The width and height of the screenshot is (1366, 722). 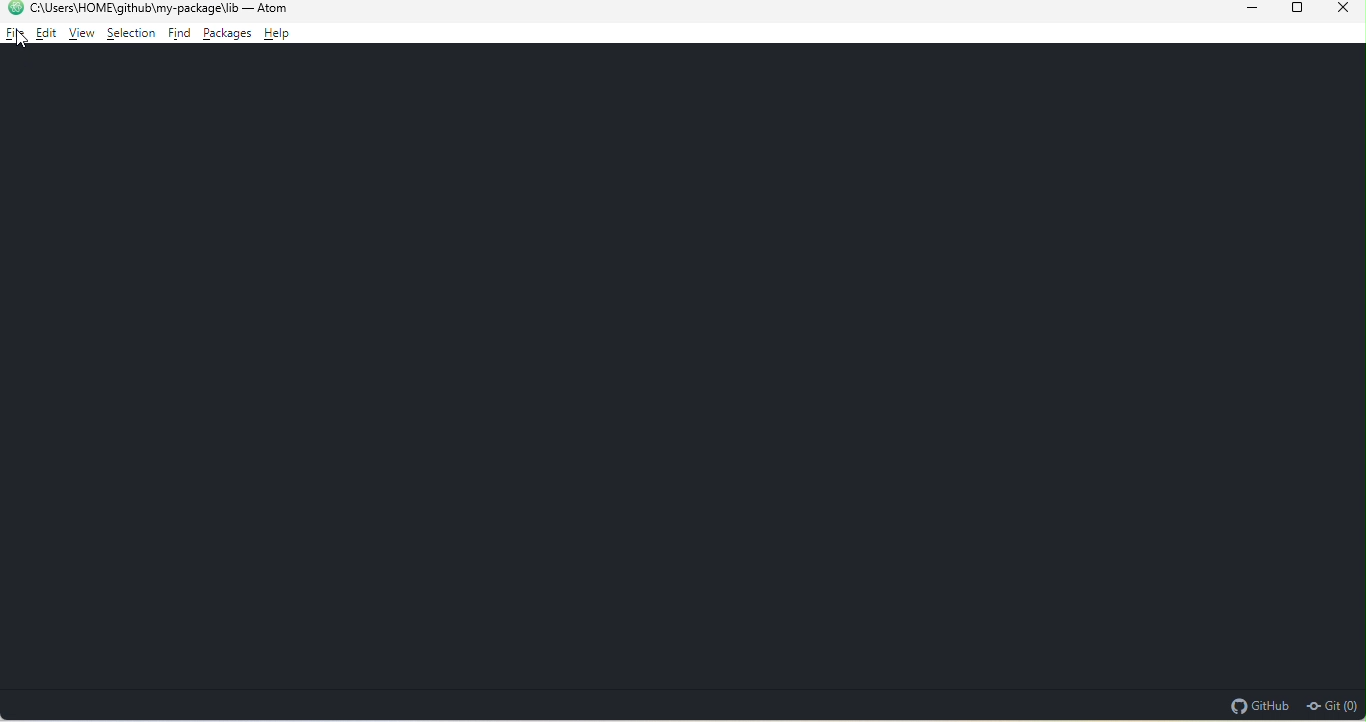 What do you see at coordinates (267, 8) in the screenshot?
I see `- Atom` at bounding box center [267, 8].